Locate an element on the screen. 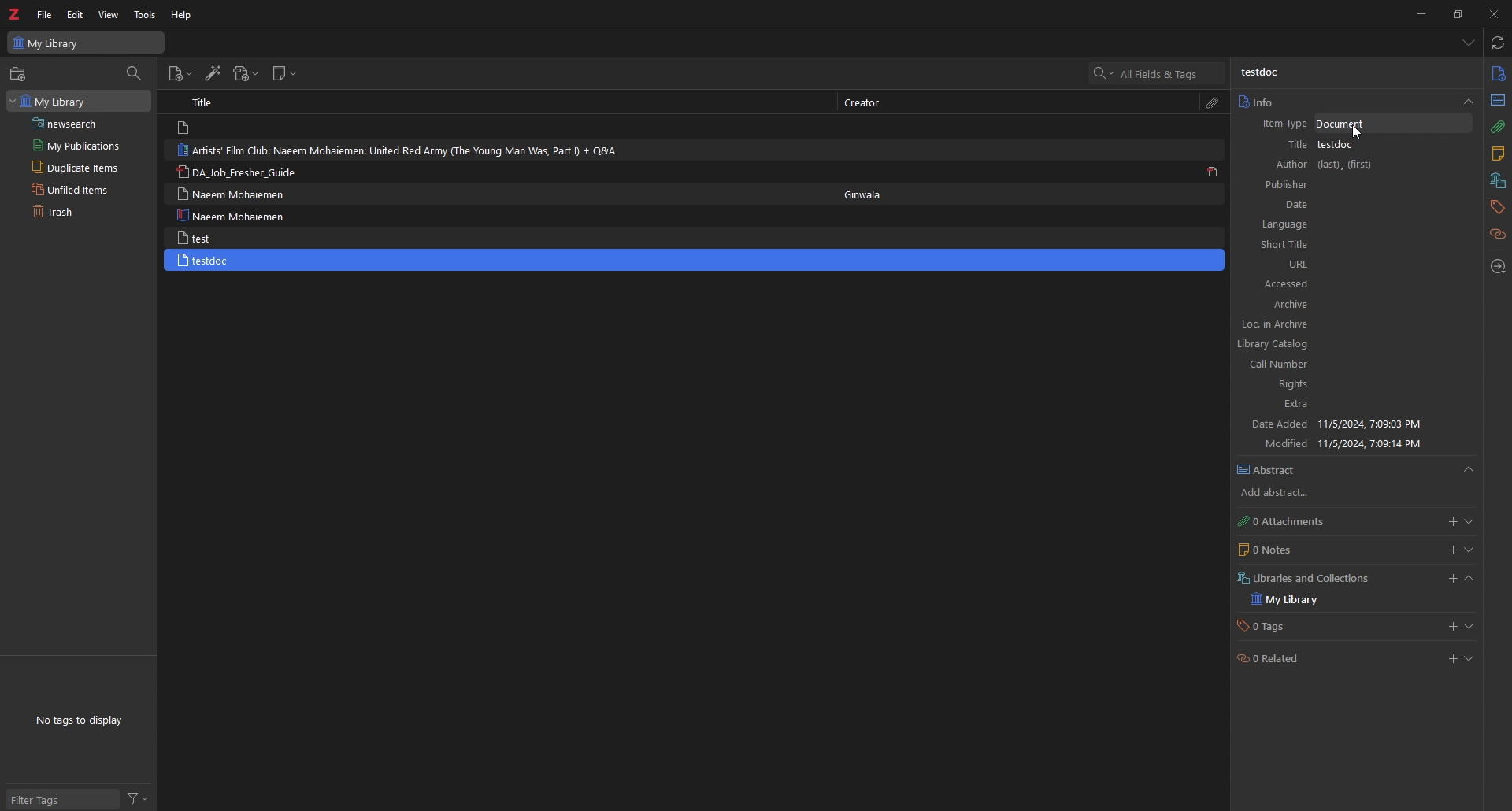  show is located at coordinates (1469, 550).